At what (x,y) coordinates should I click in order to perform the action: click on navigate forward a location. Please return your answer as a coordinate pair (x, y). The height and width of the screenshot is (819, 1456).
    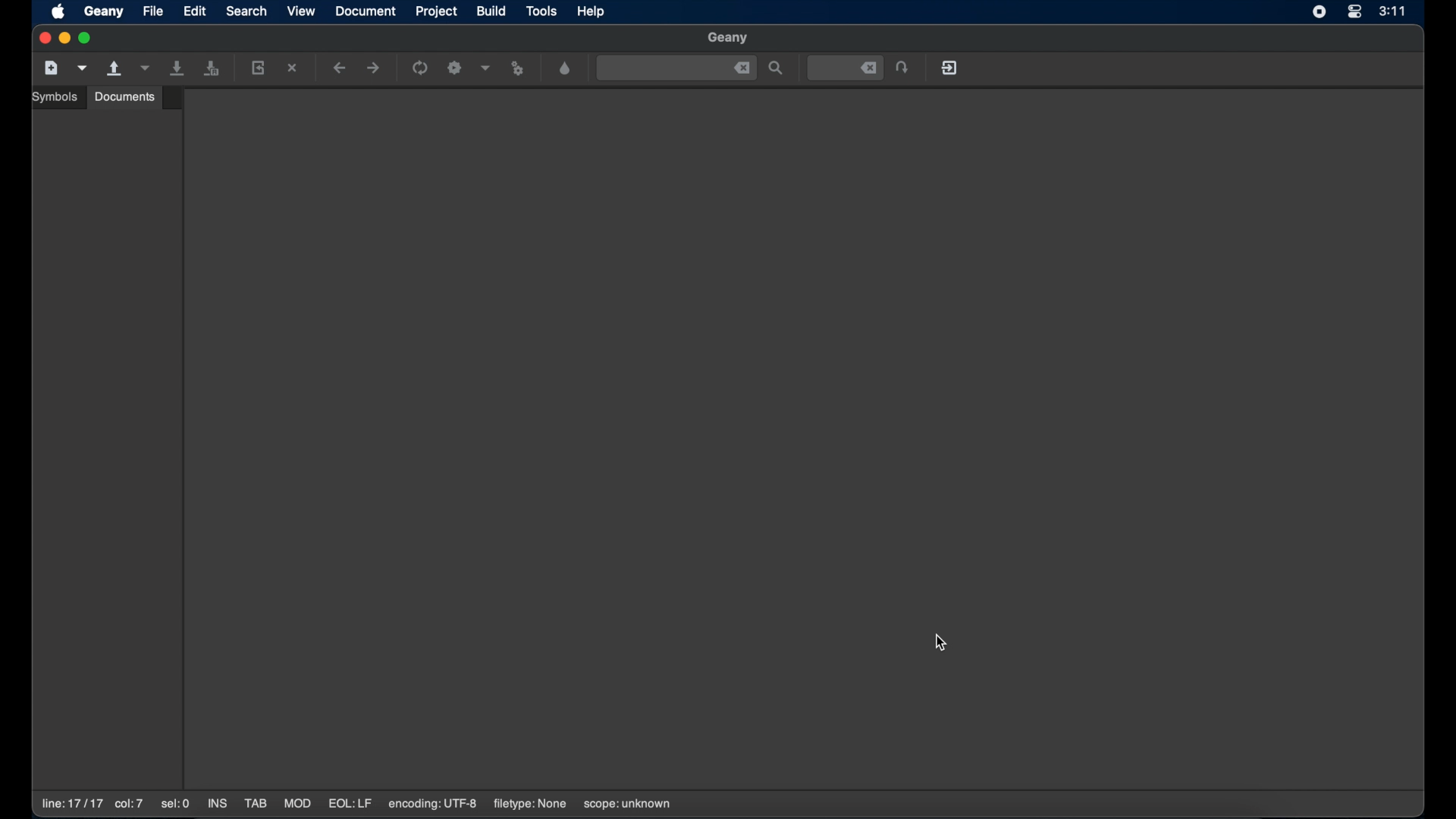
    Looking at the image, I should click on (374, 68).